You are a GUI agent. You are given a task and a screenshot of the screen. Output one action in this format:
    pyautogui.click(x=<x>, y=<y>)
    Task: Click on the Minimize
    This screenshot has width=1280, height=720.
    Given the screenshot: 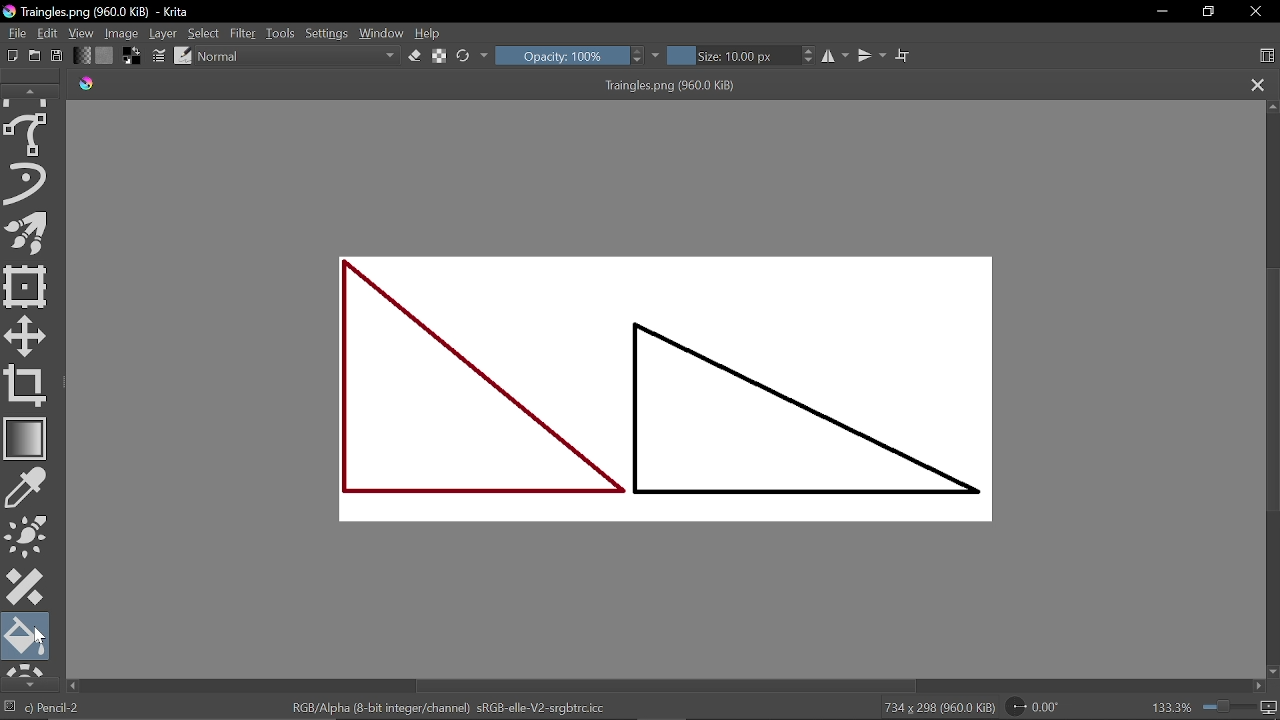 What is the action you would take?
    pyautogui.click(x=1159, y=12)
    